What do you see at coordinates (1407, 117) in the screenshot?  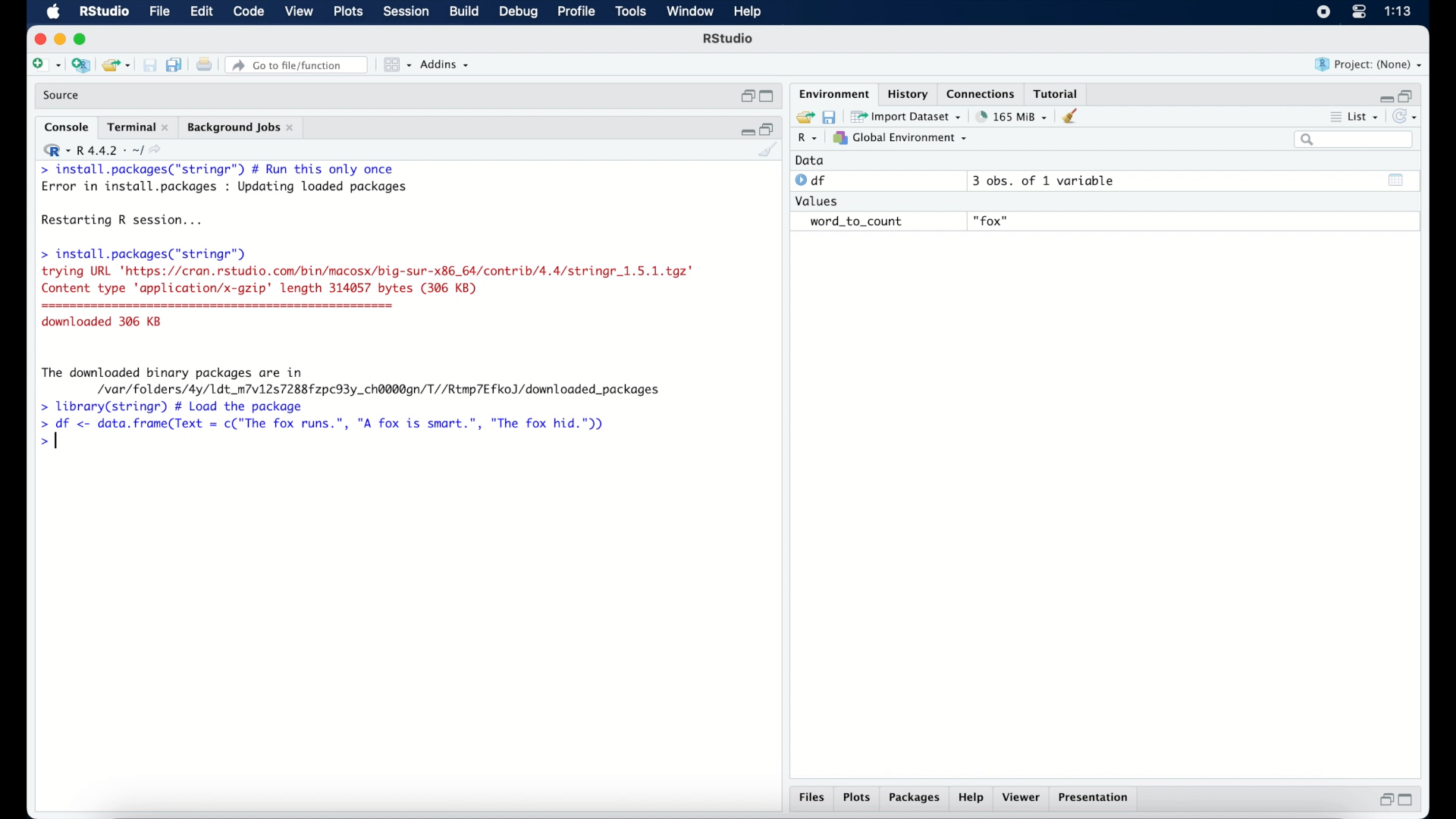 I see `refresh` at bounding box center [1407, 117].